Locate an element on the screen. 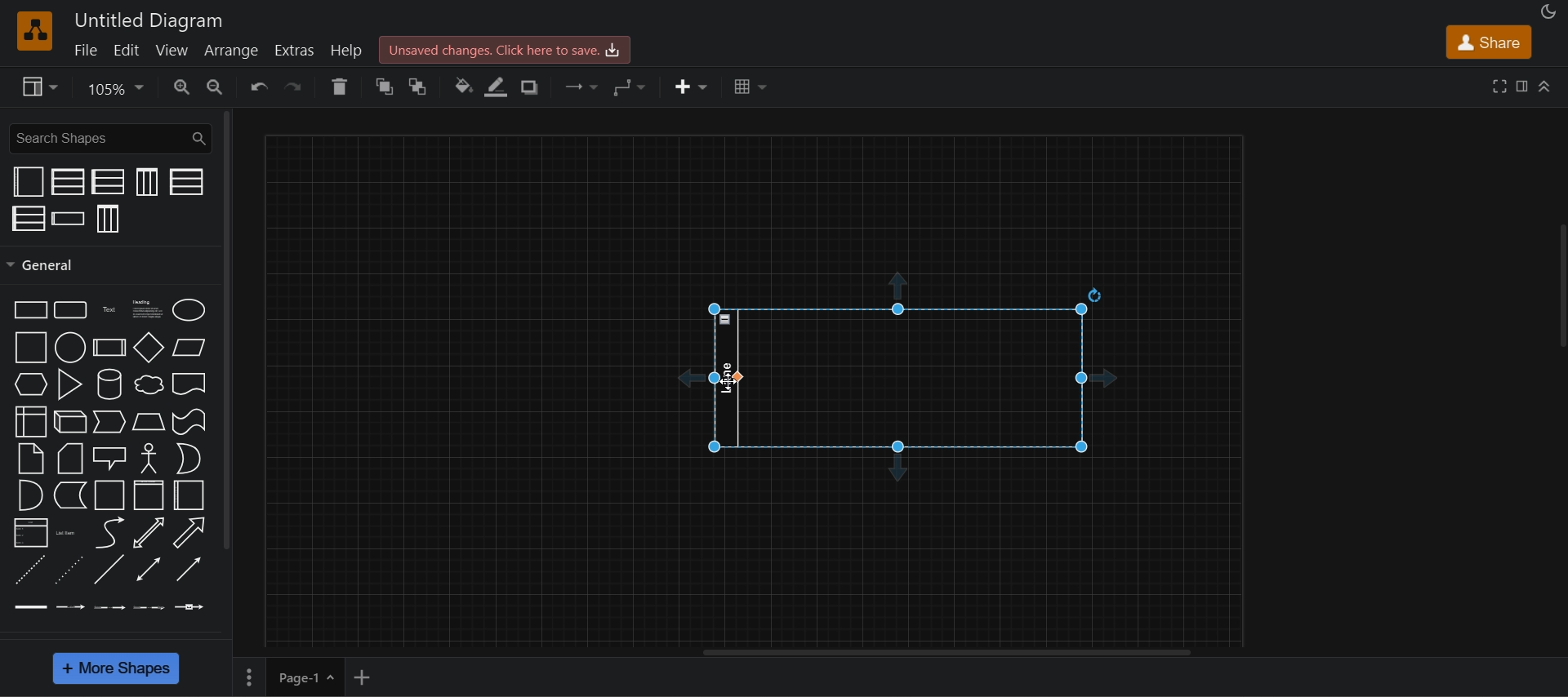  search shapes is located at coordinates (109, 137).